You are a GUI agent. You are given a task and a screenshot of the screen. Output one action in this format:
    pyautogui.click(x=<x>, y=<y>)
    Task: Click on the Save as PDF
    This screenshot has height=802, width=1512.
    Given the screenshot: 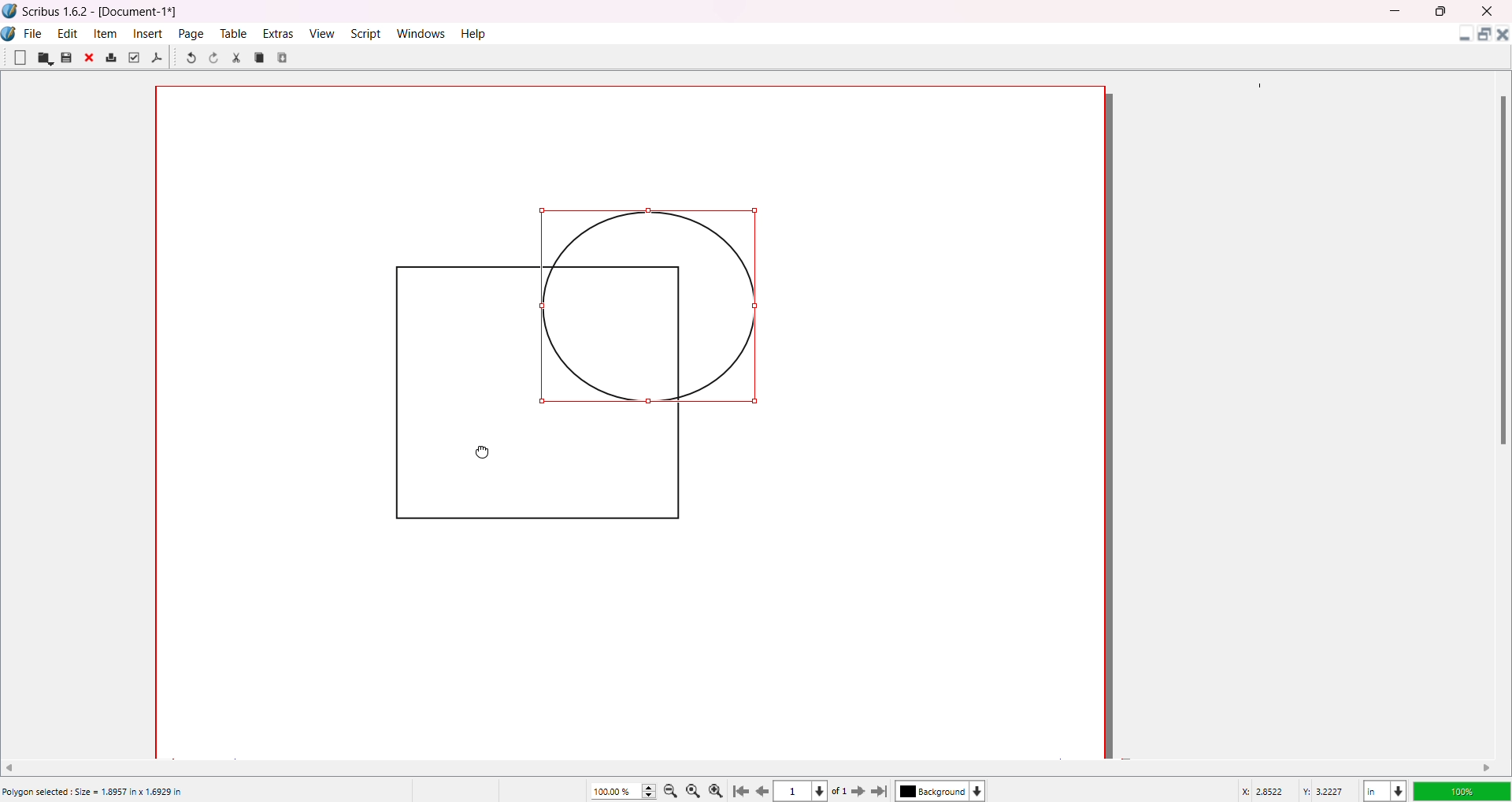 What is the action you would take?
    pyautogui.click(x=157, y=58)
    